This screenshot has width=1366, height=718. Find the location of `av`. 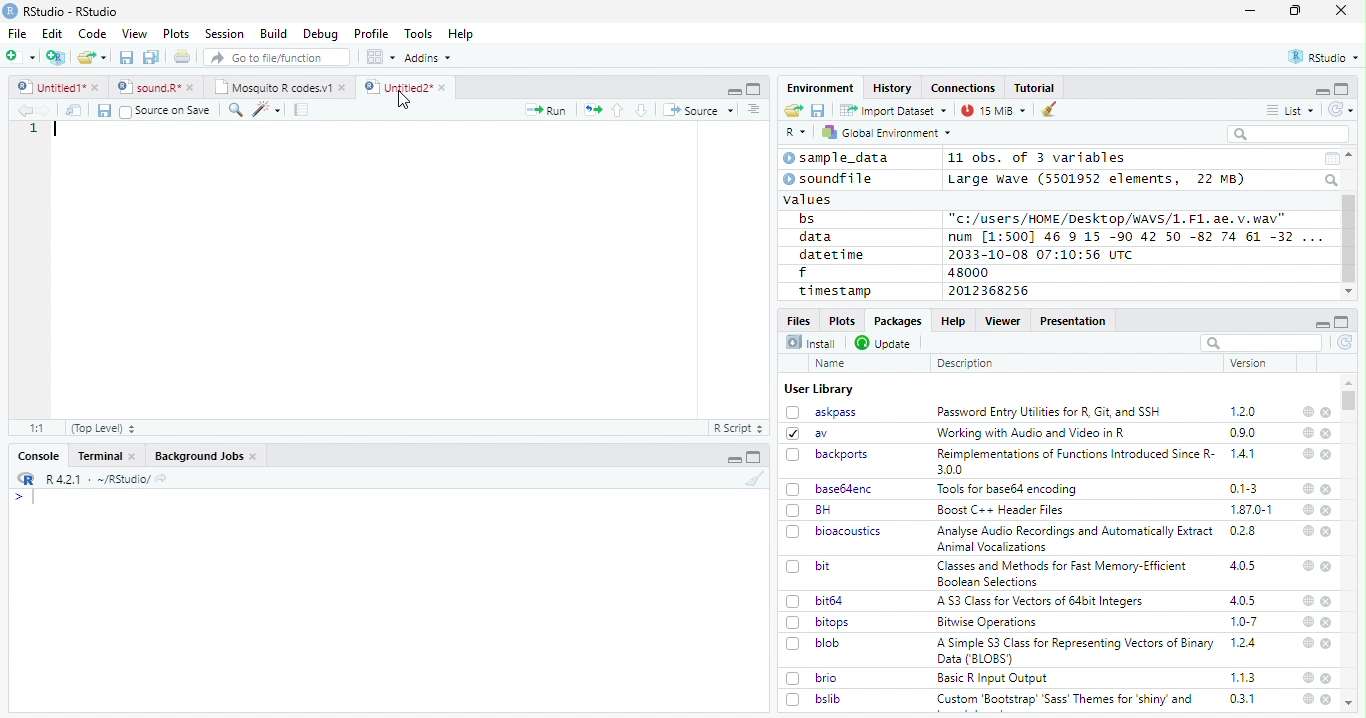

av is located at coordinates (807, 432).